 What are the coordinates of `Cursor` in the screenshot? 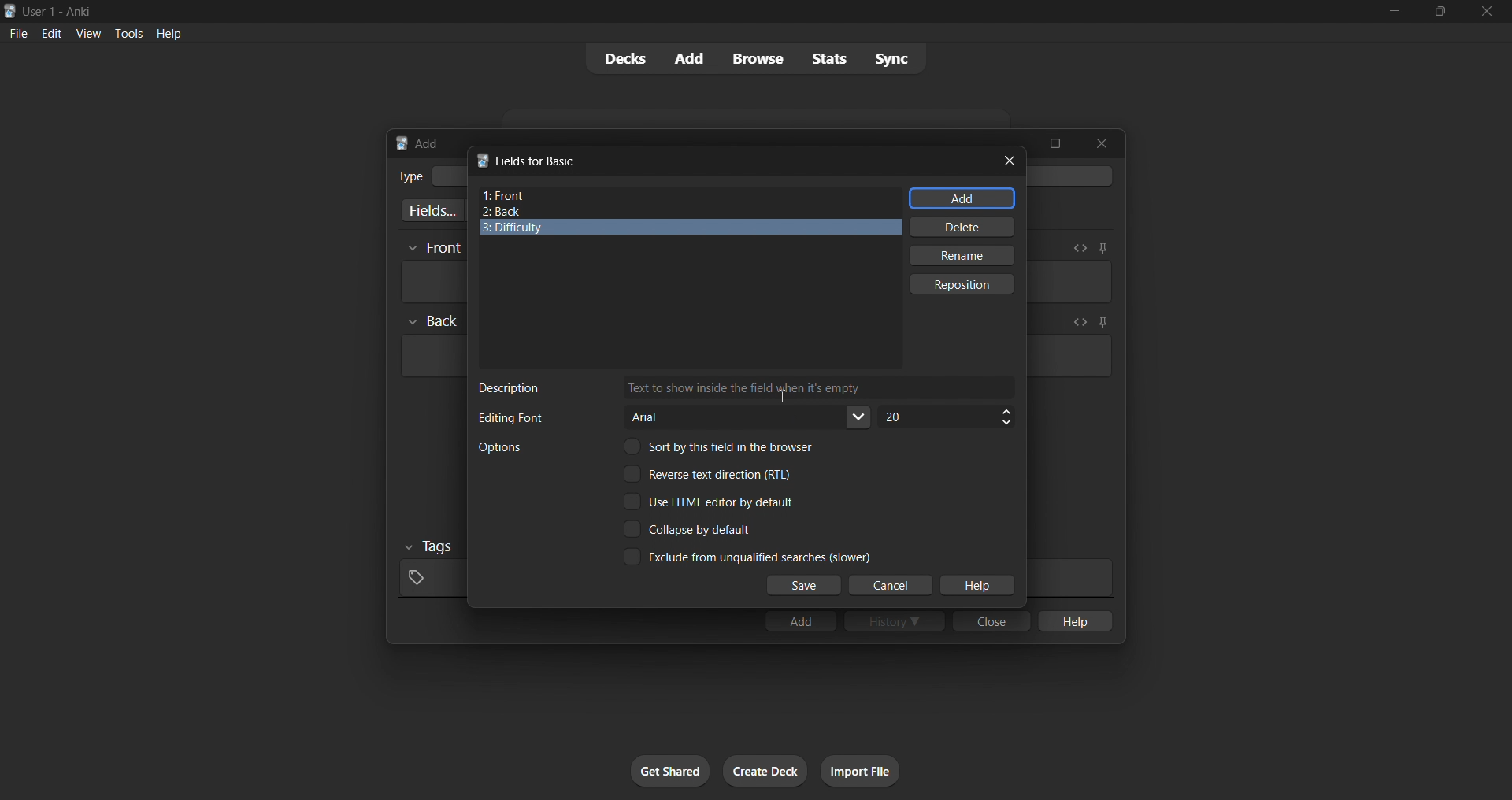 It's located at (781, 397).